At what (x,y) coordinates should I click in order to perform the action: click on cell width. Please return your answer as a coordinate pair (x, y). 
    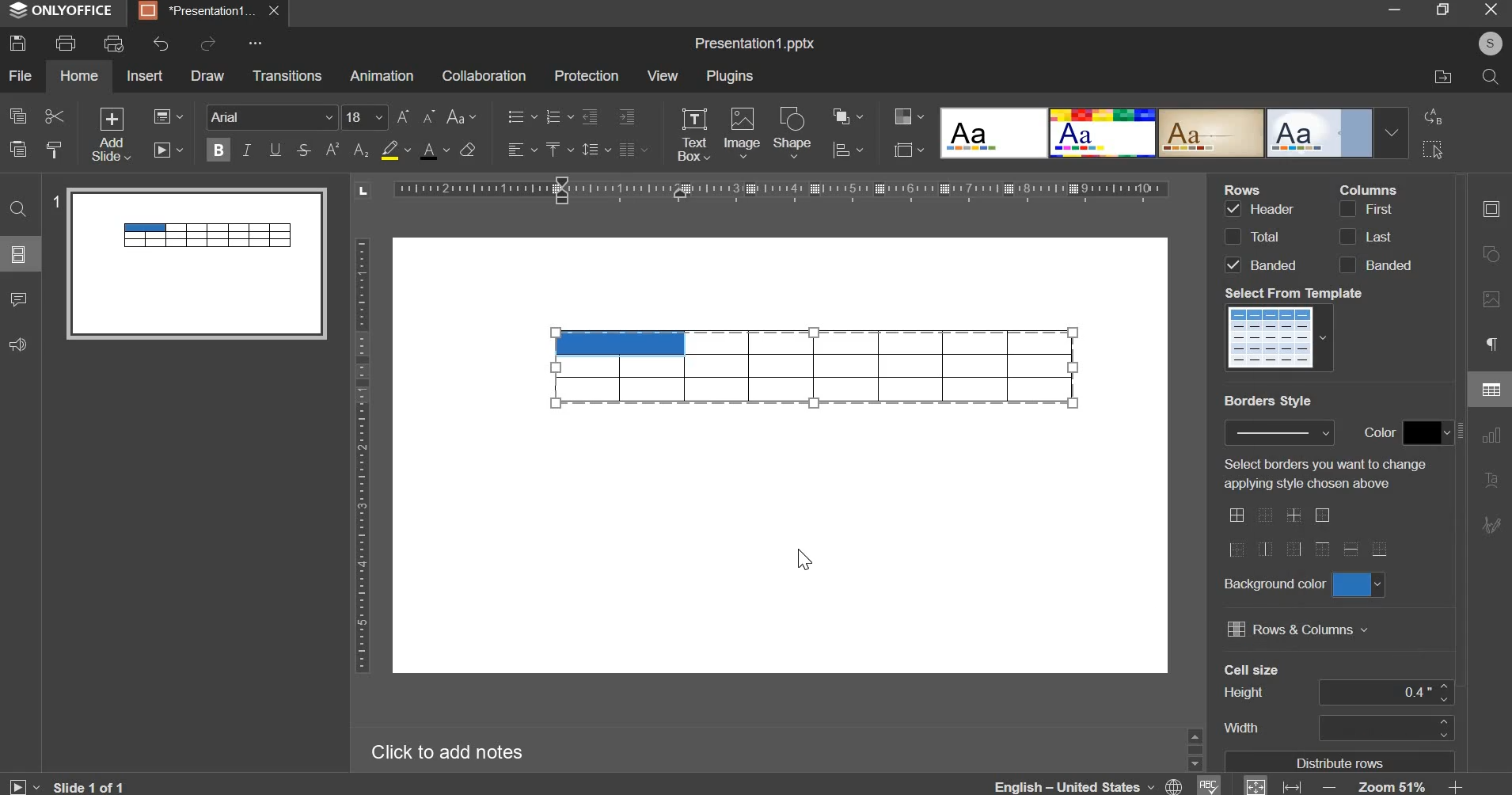
    Looking at the image, I should click on (1385, 727).